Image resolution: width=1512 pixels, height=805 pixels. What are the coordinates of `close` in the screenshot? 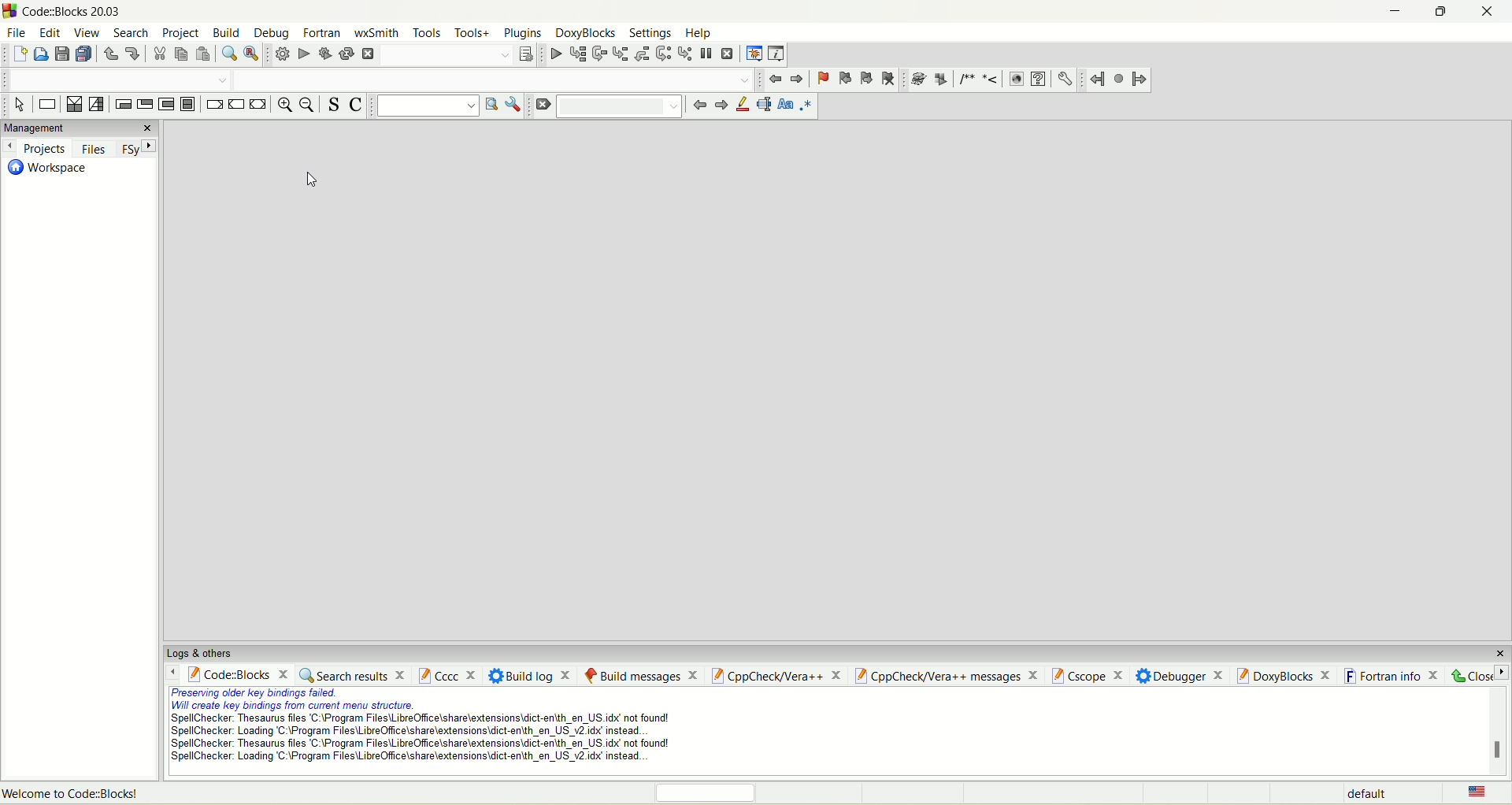 It's located at (1489, 17).